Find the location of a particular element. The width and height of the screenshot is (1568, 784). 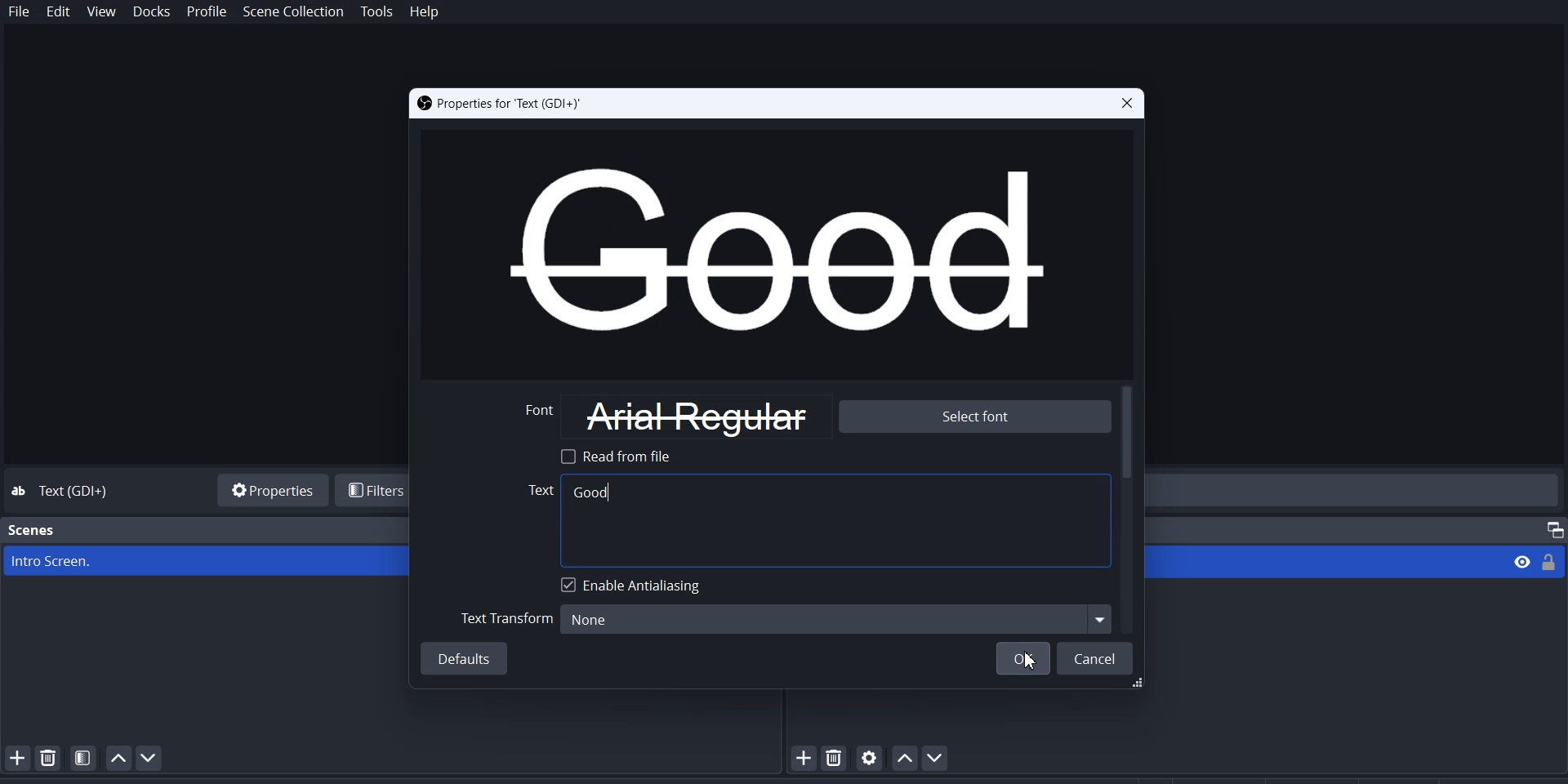

Enable Antialiasing is located at coordinates (635, 585).